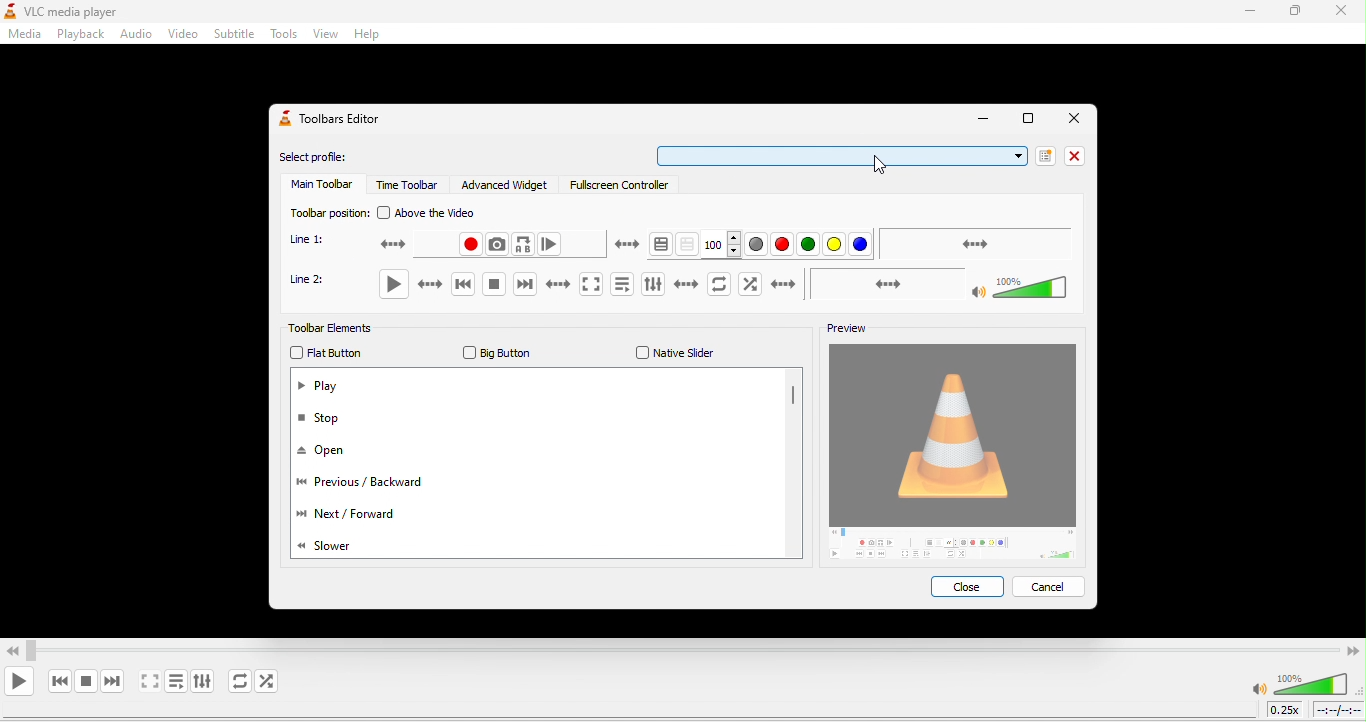 The width and height of the screenshot is (1366, 722). What do you see at coordinates (340, 124) in the screenshot?
I see `toolbars editor` at bounding box center [340, 124].